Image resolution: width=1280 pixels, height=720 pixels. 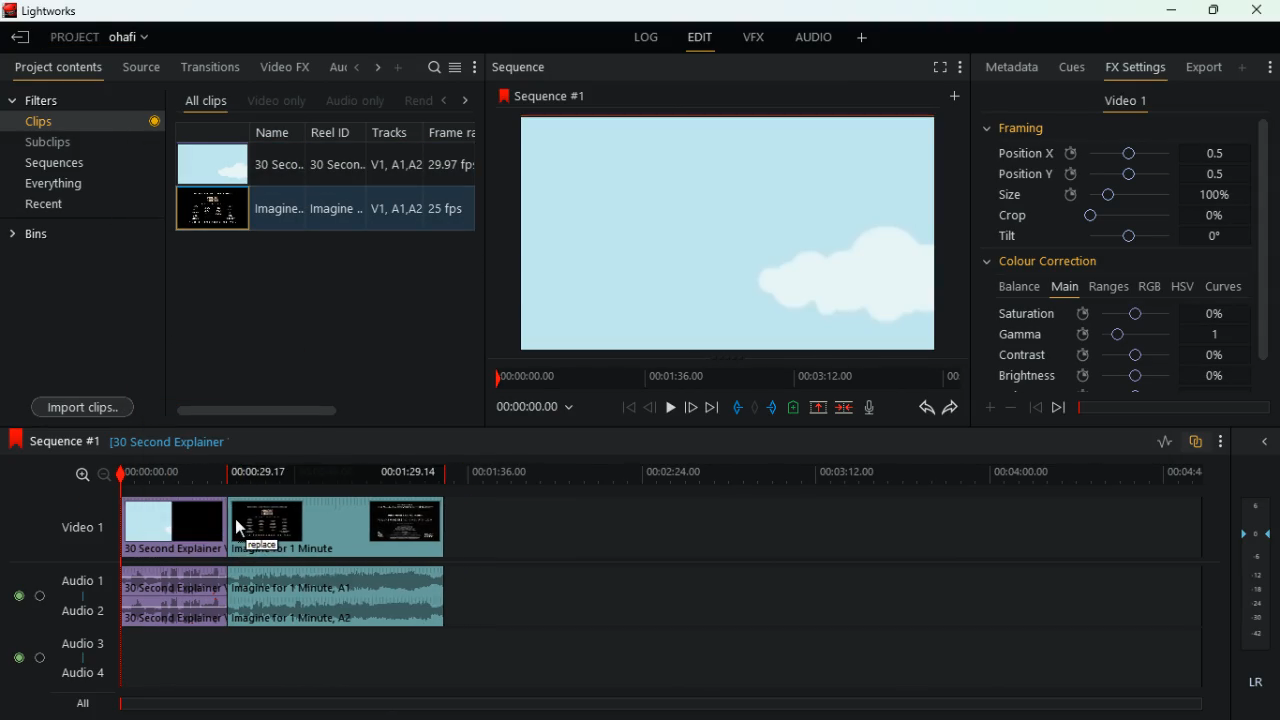 I want to click on rate, so click(x=1163, y=444).